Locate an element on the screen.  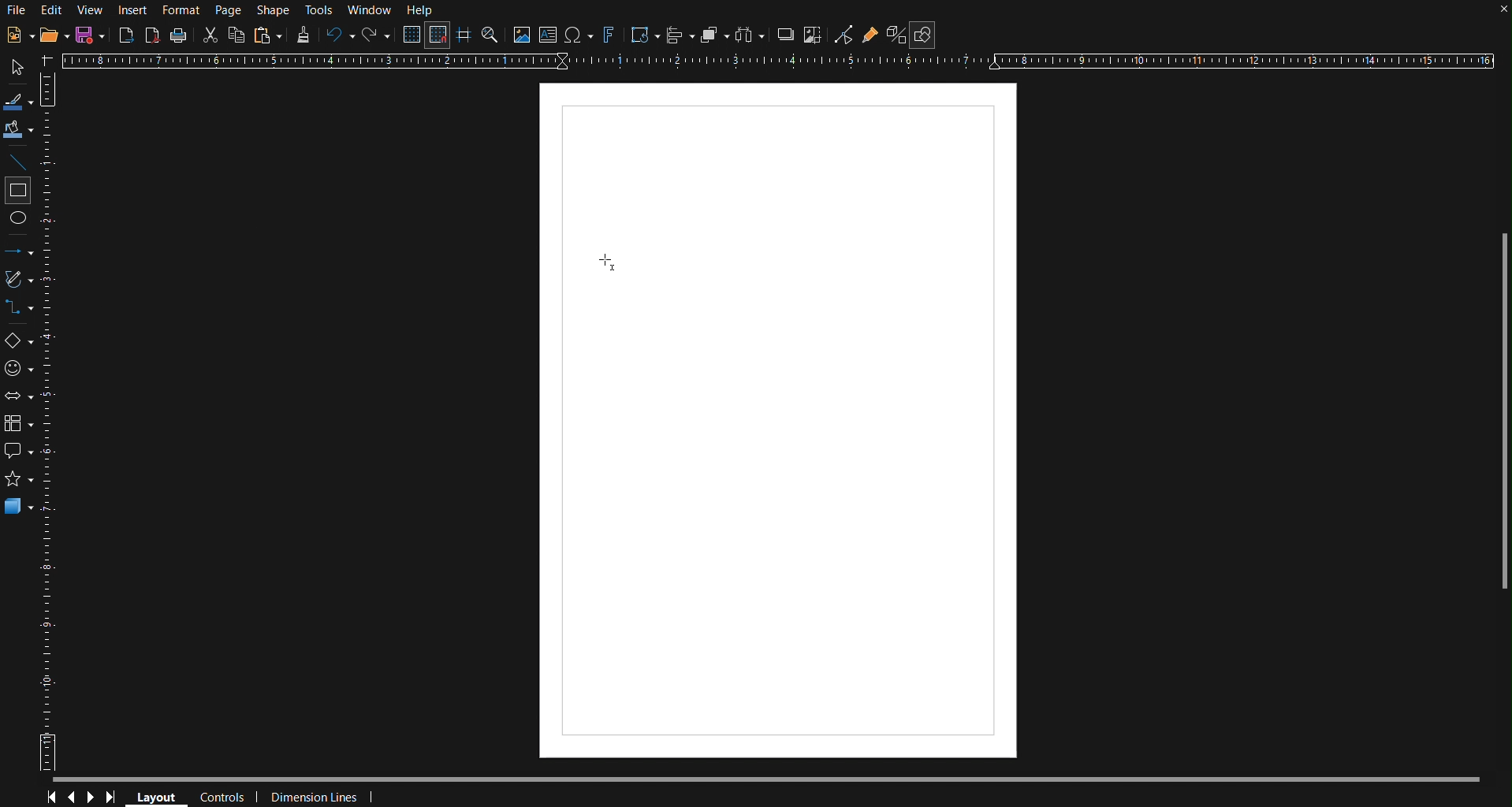
Connectors is located at coordinates (19, 308).